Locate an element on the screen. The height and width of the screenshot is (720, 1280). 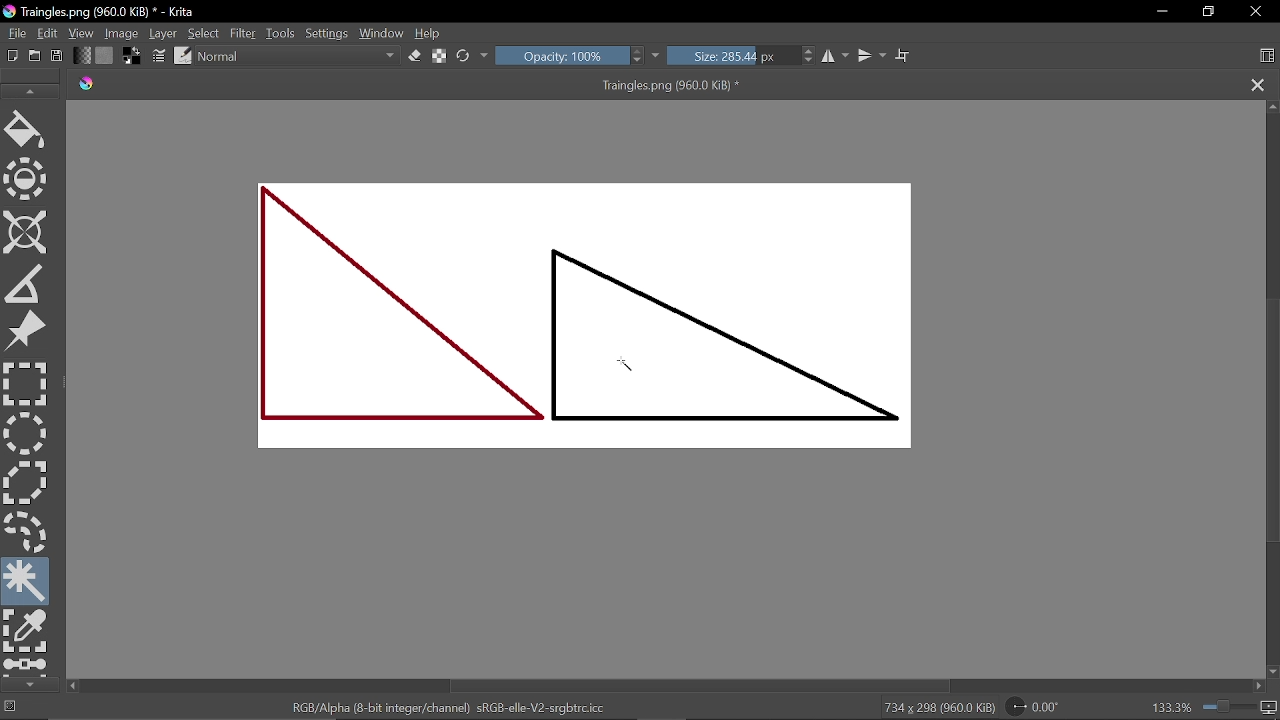
scroll down is located at coordinates (31, 684).